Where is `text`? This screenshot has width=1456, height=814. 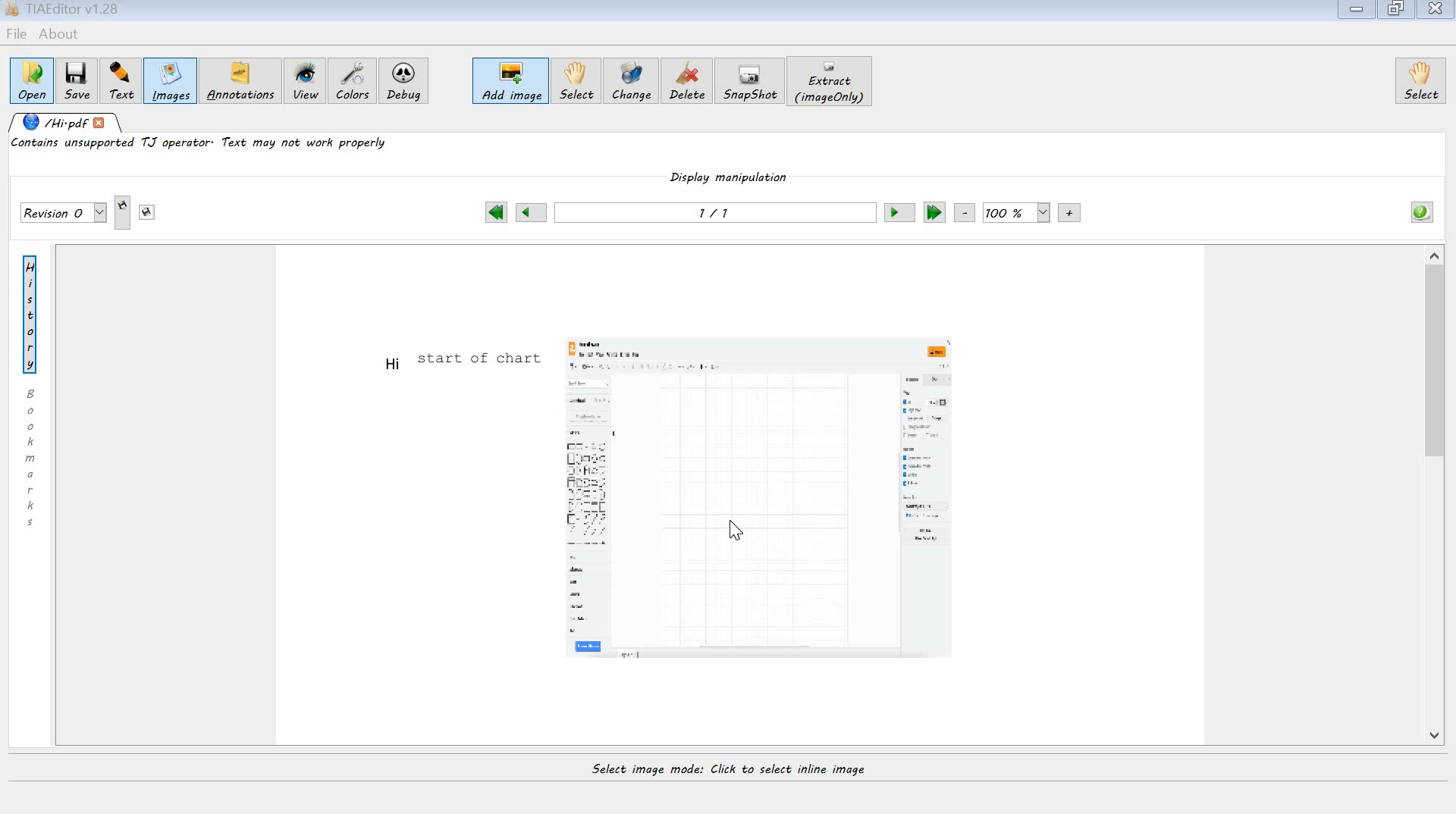 text is located at coordinates (457, 362).